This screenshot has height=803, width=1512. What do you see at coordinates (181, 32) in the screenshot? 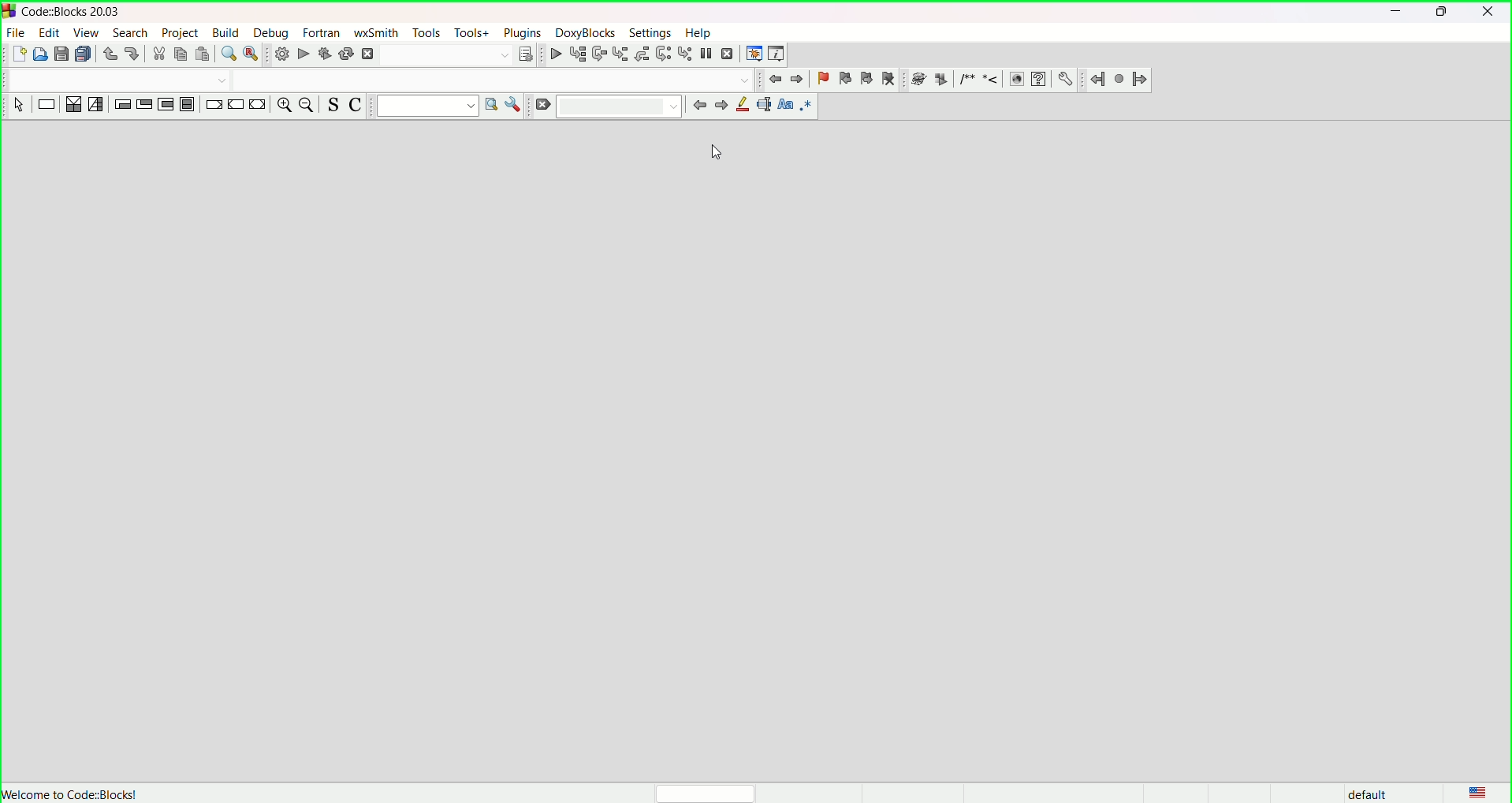
I see `project` at bounding box center [181, 32].